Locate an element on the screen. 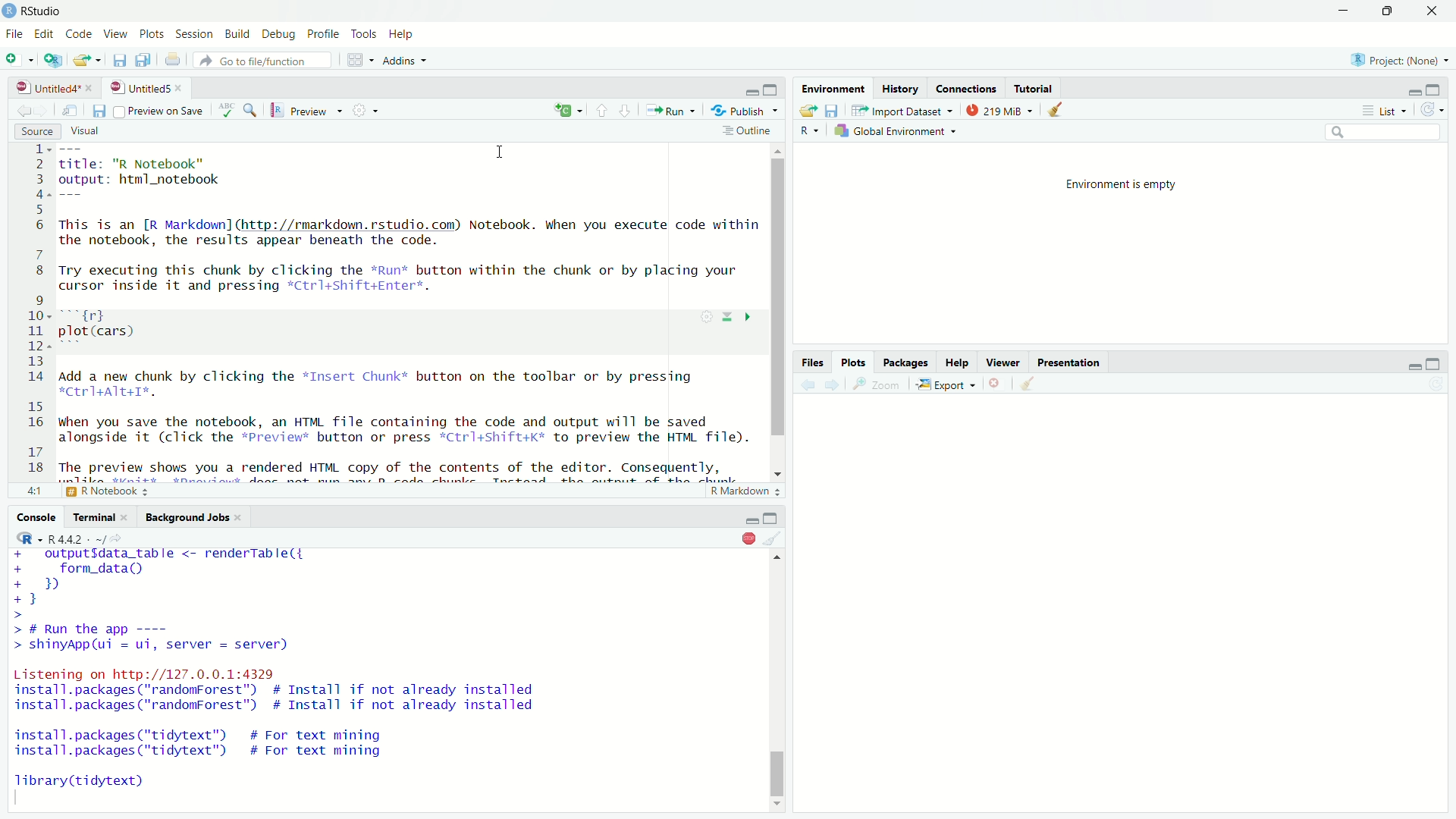 This screenshot has height=819, width=1456. R language version - R 4.4.1 is located at coordinates (70, 538).